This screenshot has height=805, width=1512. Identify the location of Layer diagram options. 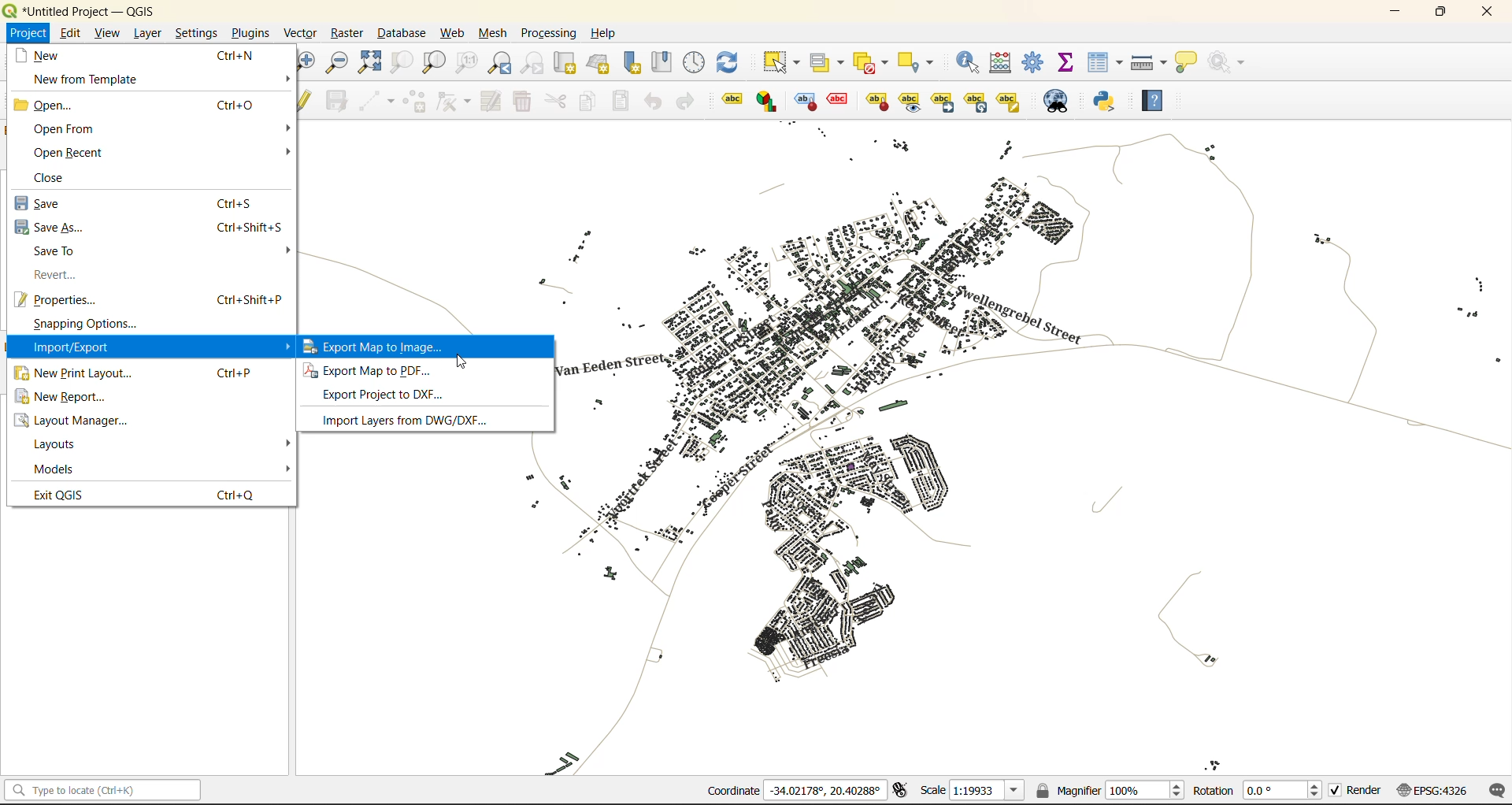
(768, 101).